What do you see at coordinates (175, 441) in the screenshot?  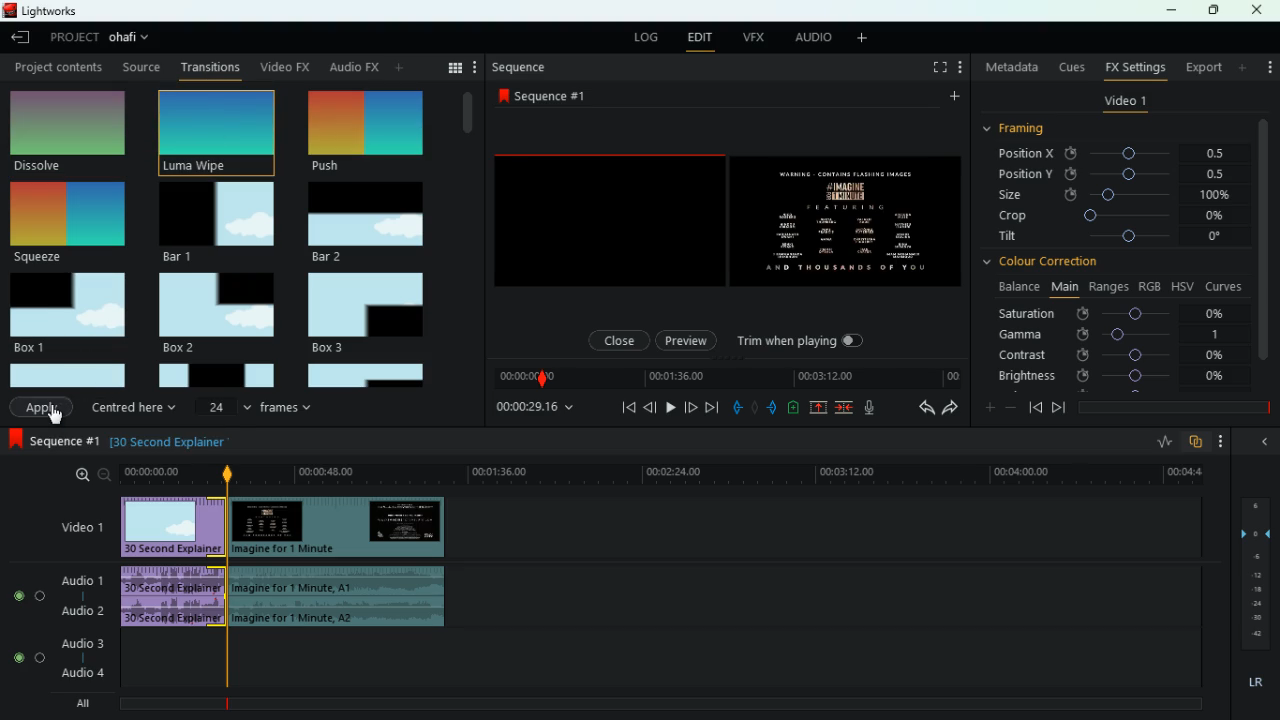 I see `explanation` at bounding box center [175, 441].